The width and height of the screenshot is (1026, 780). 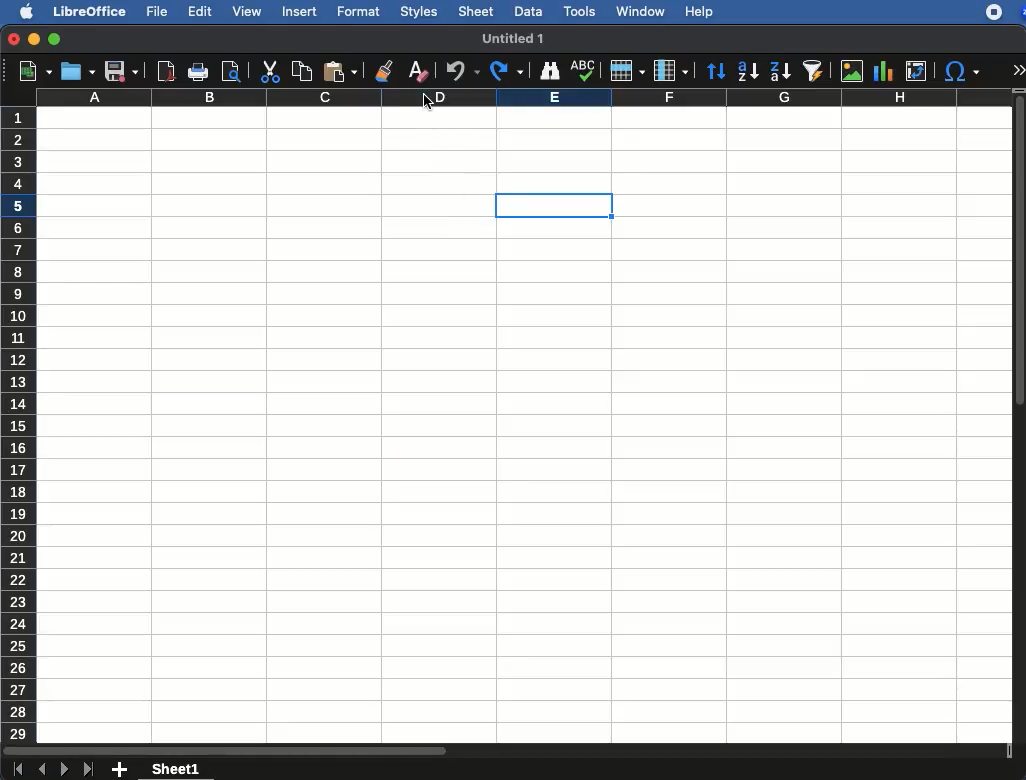 I want to click on cut, so click(x=269, y=71).